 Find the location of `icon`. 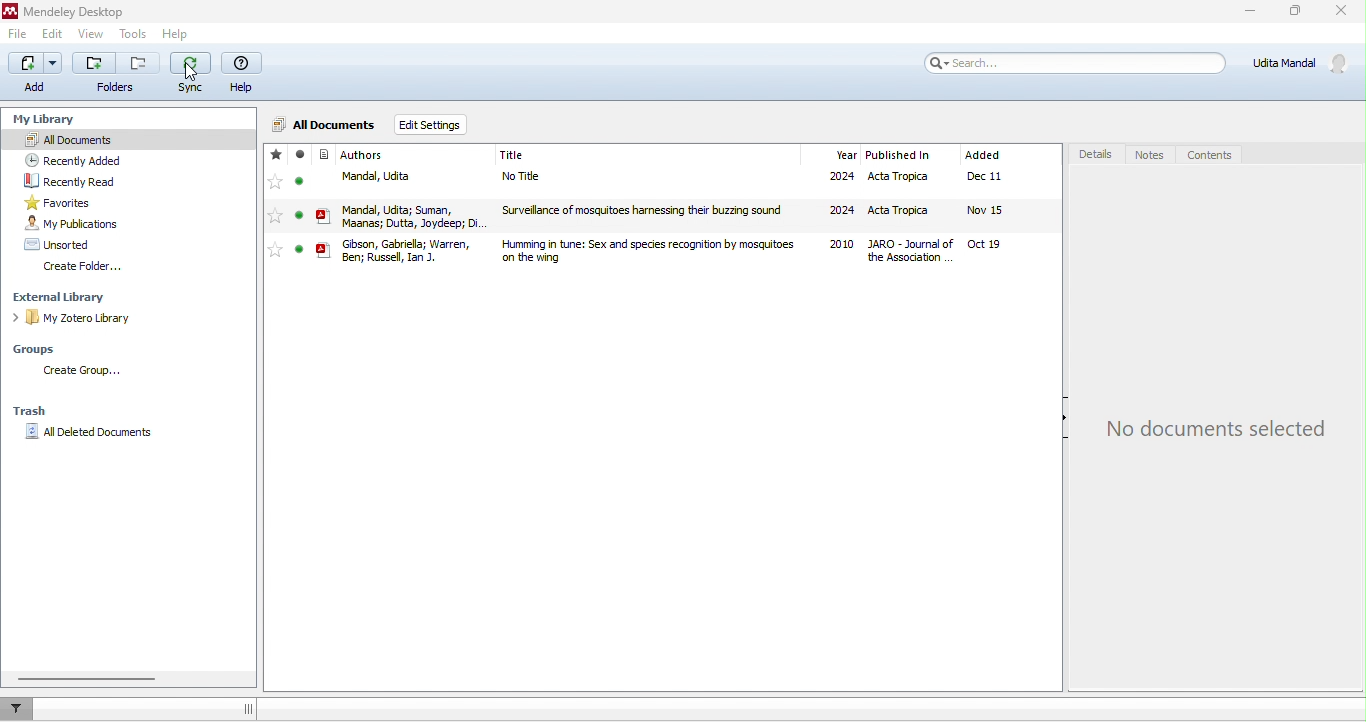

icon is located at coordinates (326, 154).